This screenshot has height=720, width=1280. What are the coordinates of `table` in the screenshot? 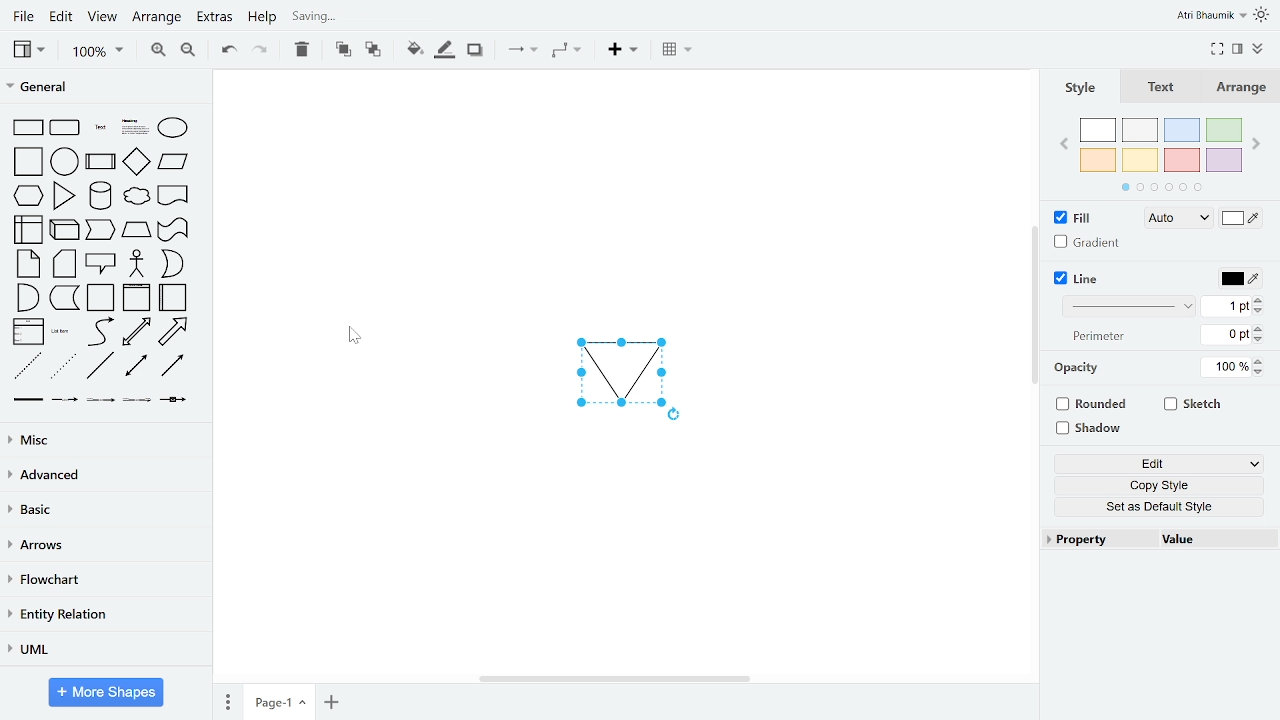 It's located at (678, 51).